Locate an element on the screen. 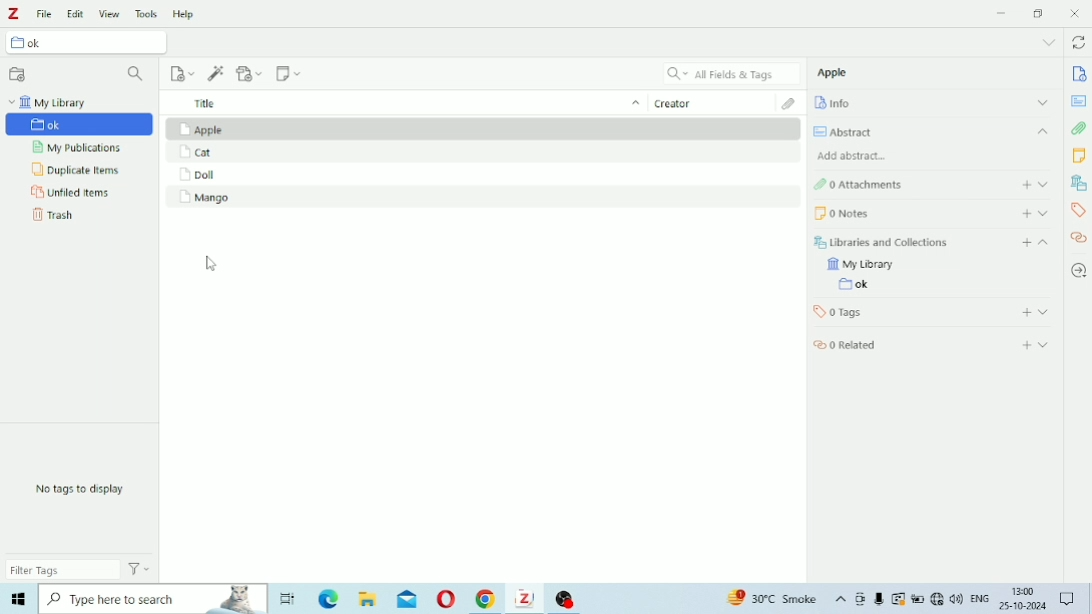 The image size is (1092, 614). Filter Tags is located at coordinates (63, 571).